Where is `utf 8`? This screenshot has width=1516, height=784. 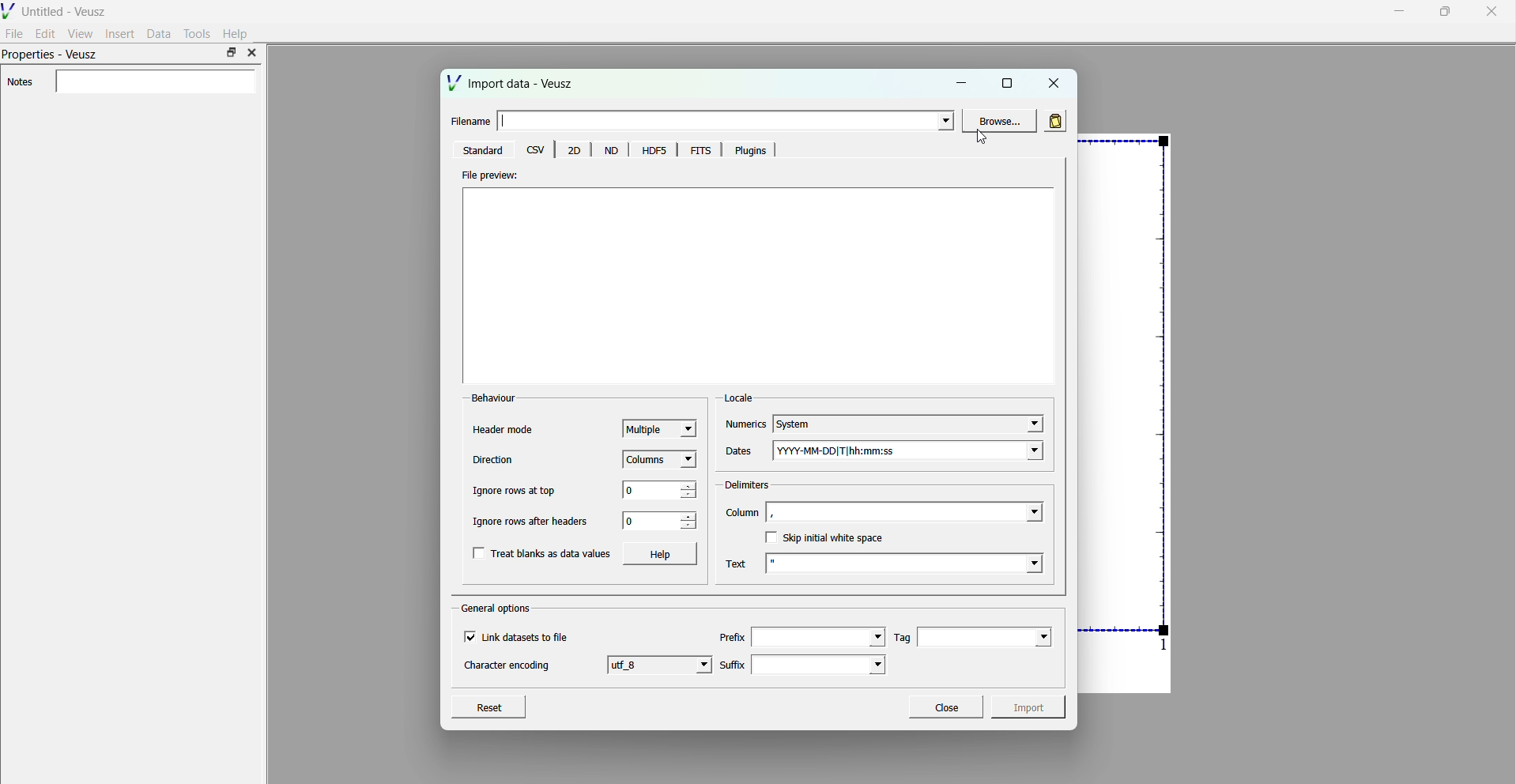 utf 8 is located at coordinates (662, 664).